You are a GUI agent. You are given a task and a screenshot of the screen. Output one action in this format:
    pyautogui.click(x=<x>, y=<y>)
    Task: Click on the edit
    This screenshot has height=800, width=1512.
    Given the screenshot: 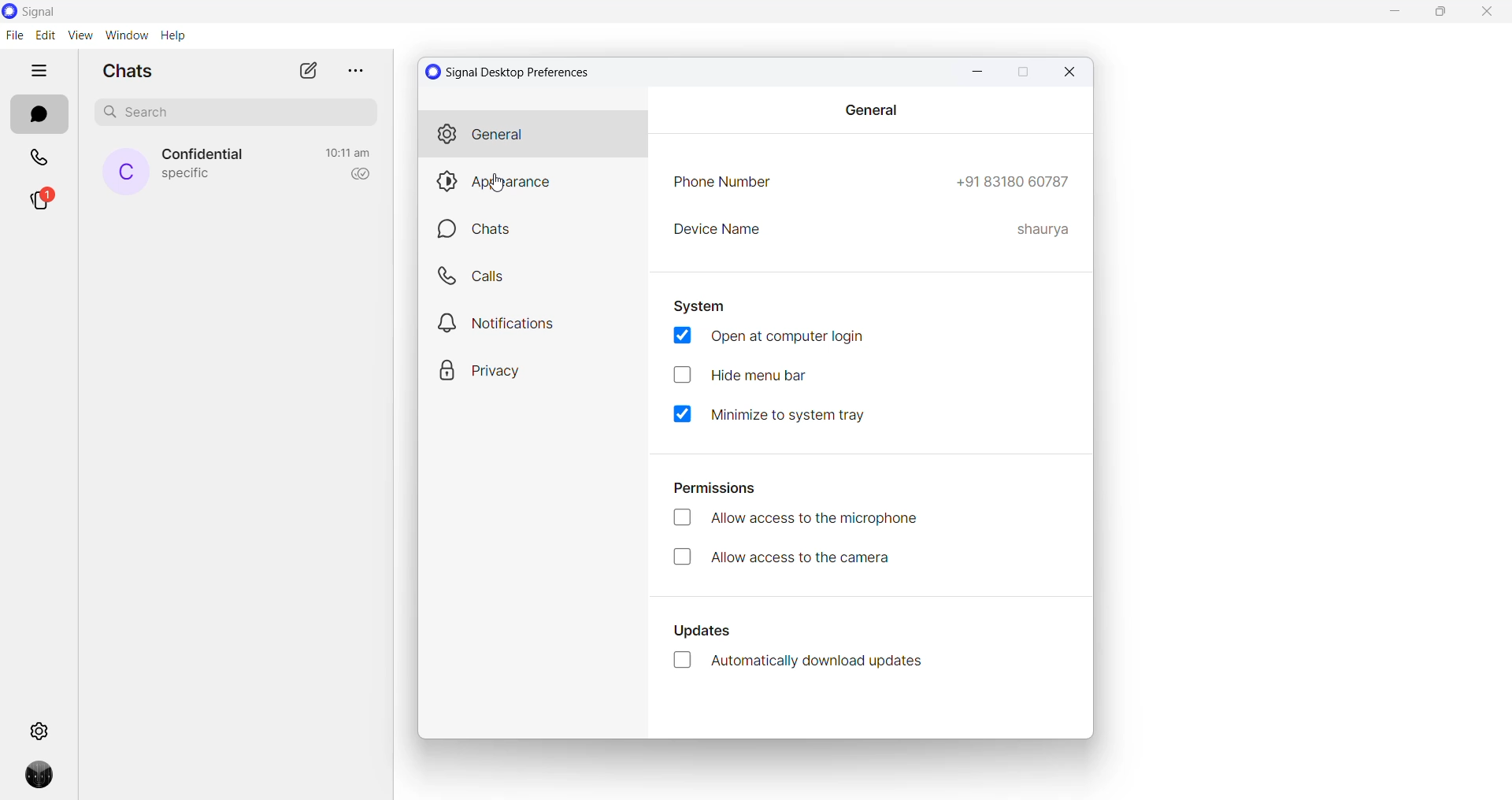 What is the action you would take?
    pyautogui.click(x=45, y=35)
    